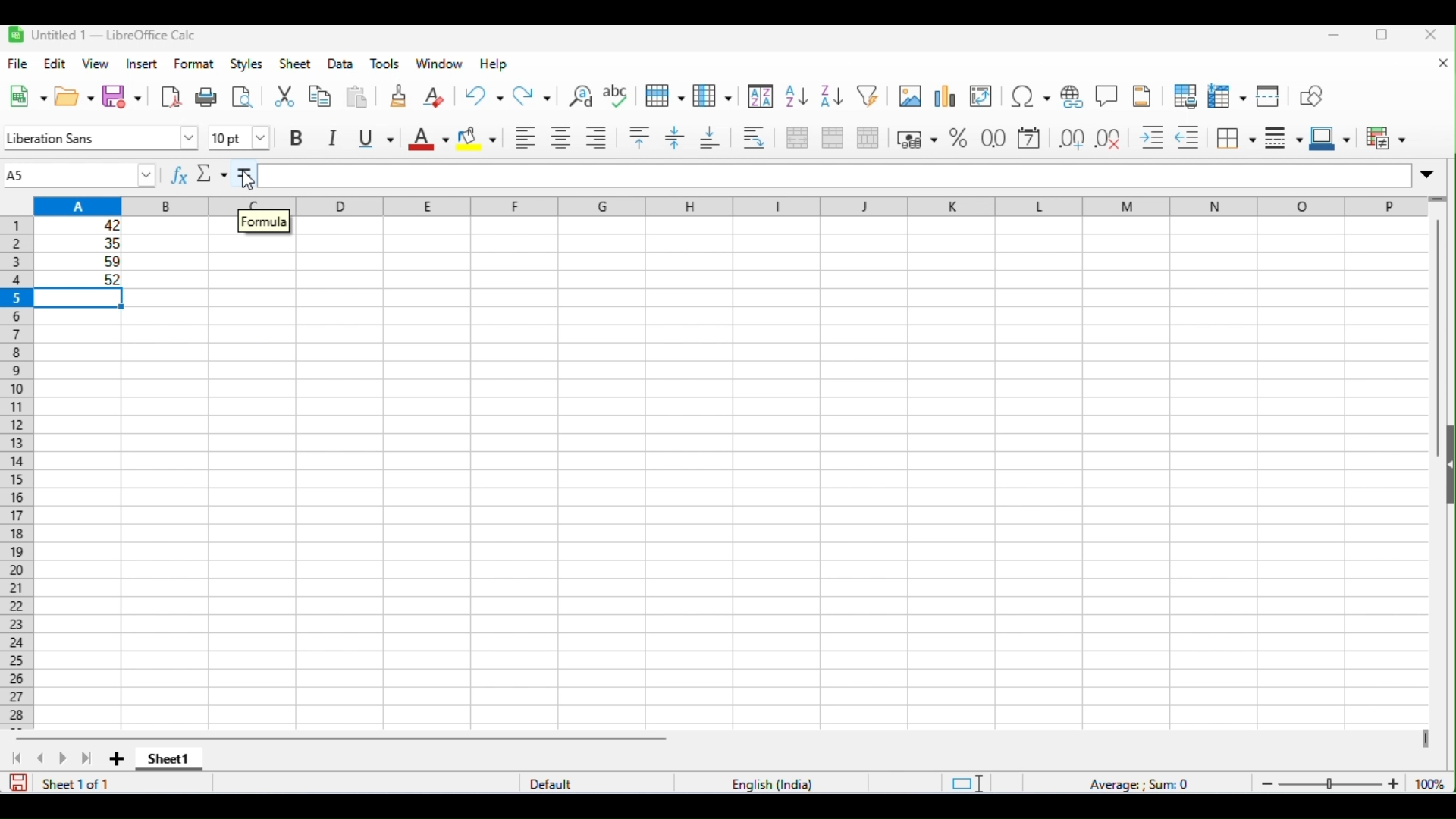 The image size is (1456, 819). Describe the element at coordinates (1352, 783) in the screenshot. I see `zoom` at that location.